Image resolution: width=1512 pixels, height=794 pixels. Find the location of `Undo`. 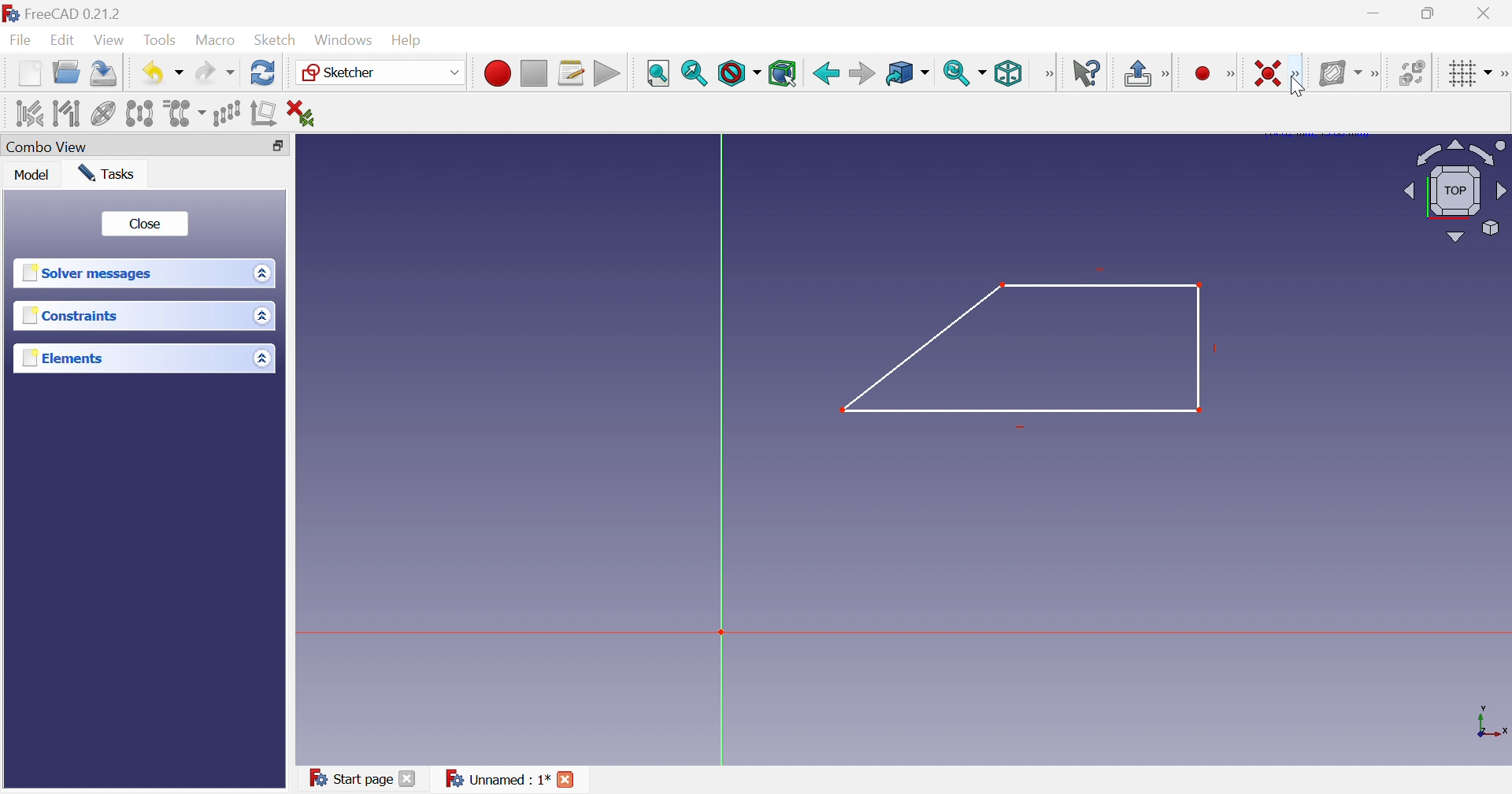

Undo is located at coordinates (150, 72).